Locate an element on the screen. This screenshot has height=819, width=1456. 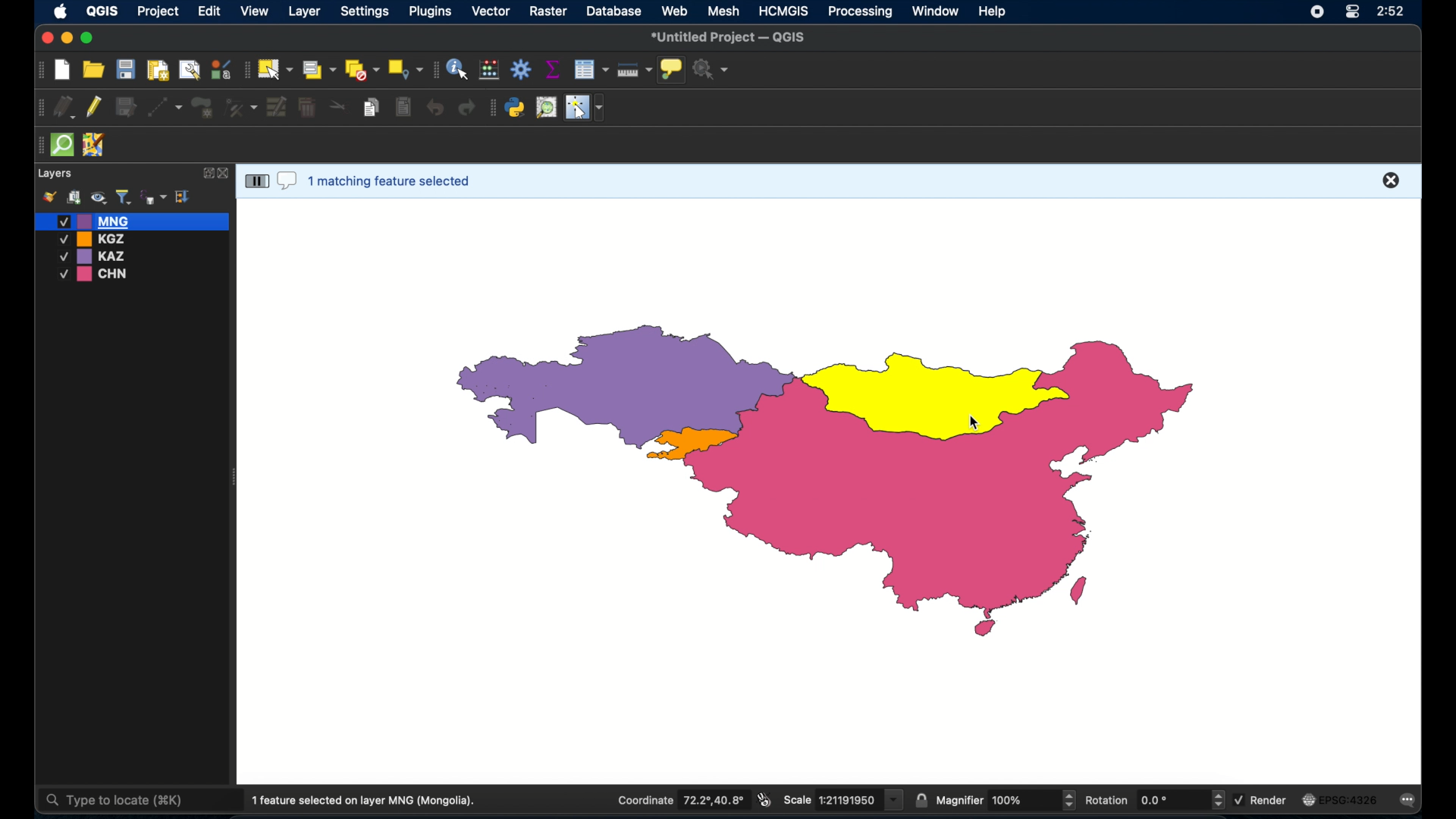
toolbox is located at coordinates (521, 69).